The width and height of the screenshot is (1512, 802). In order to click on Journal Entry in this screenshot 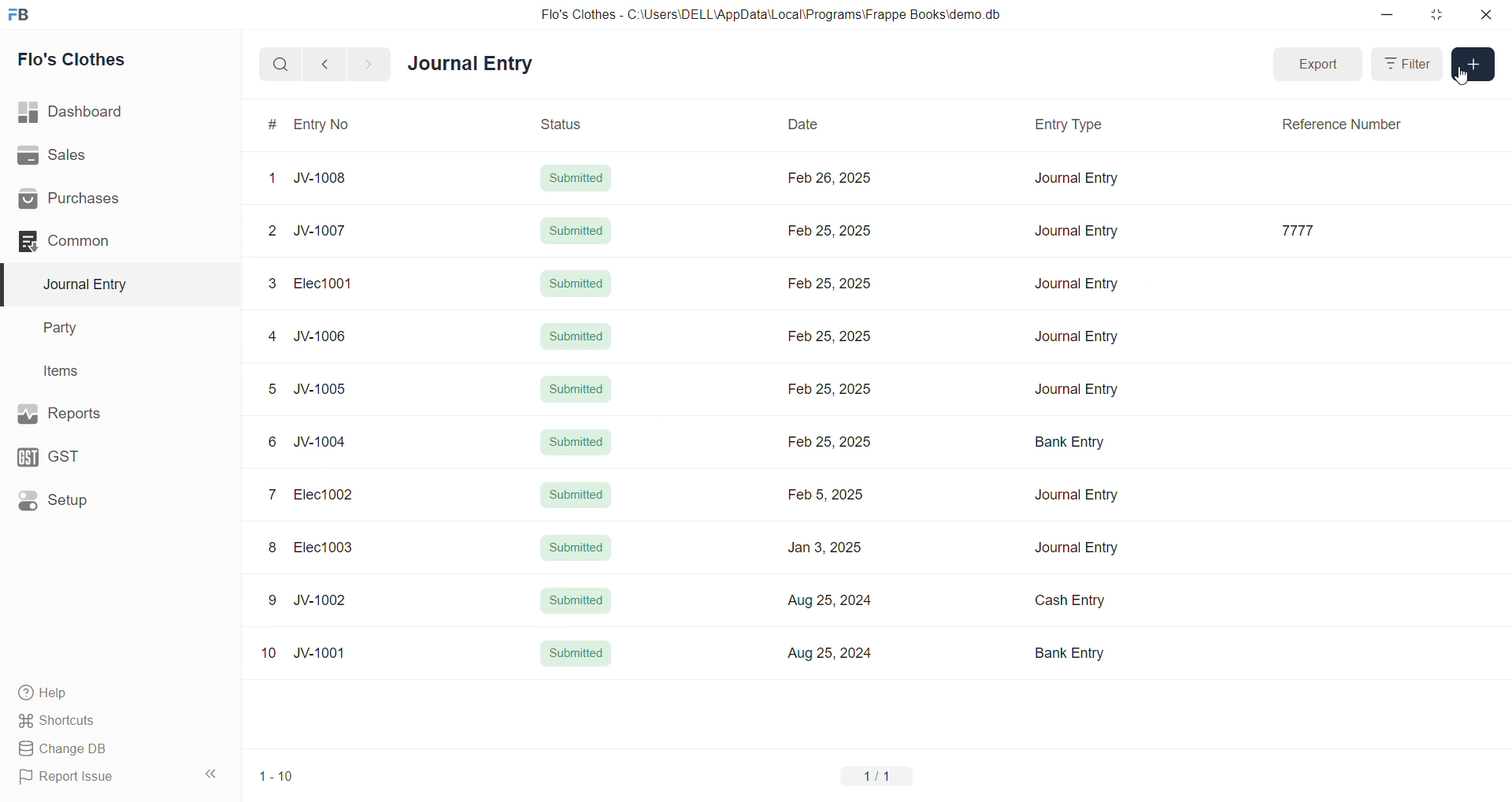, I will do `click(1077, 390)`.